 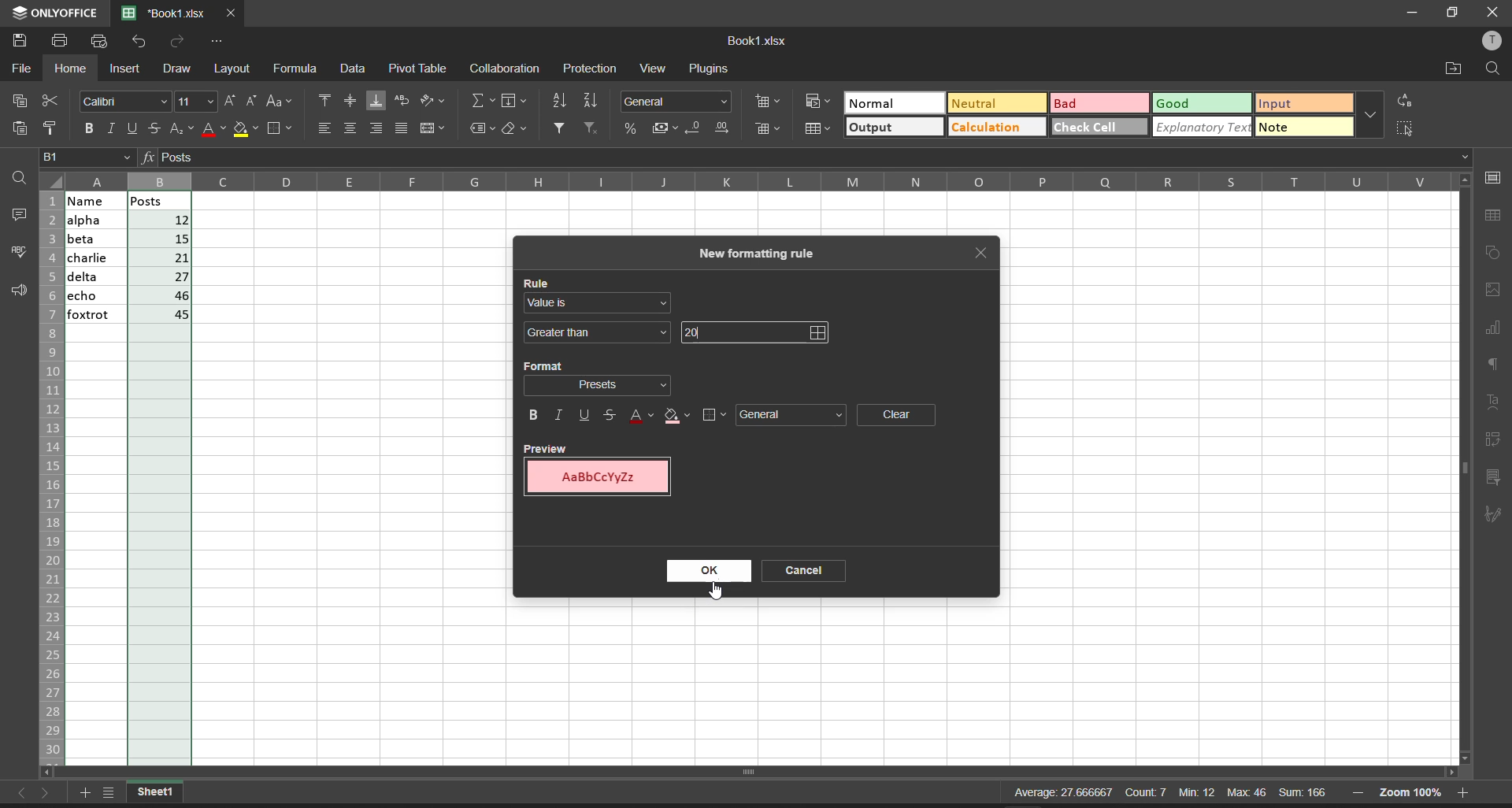 What do you see at coordinates (322, 102) in the screenshot?
I see `align top` at bounding box center [322, 102].